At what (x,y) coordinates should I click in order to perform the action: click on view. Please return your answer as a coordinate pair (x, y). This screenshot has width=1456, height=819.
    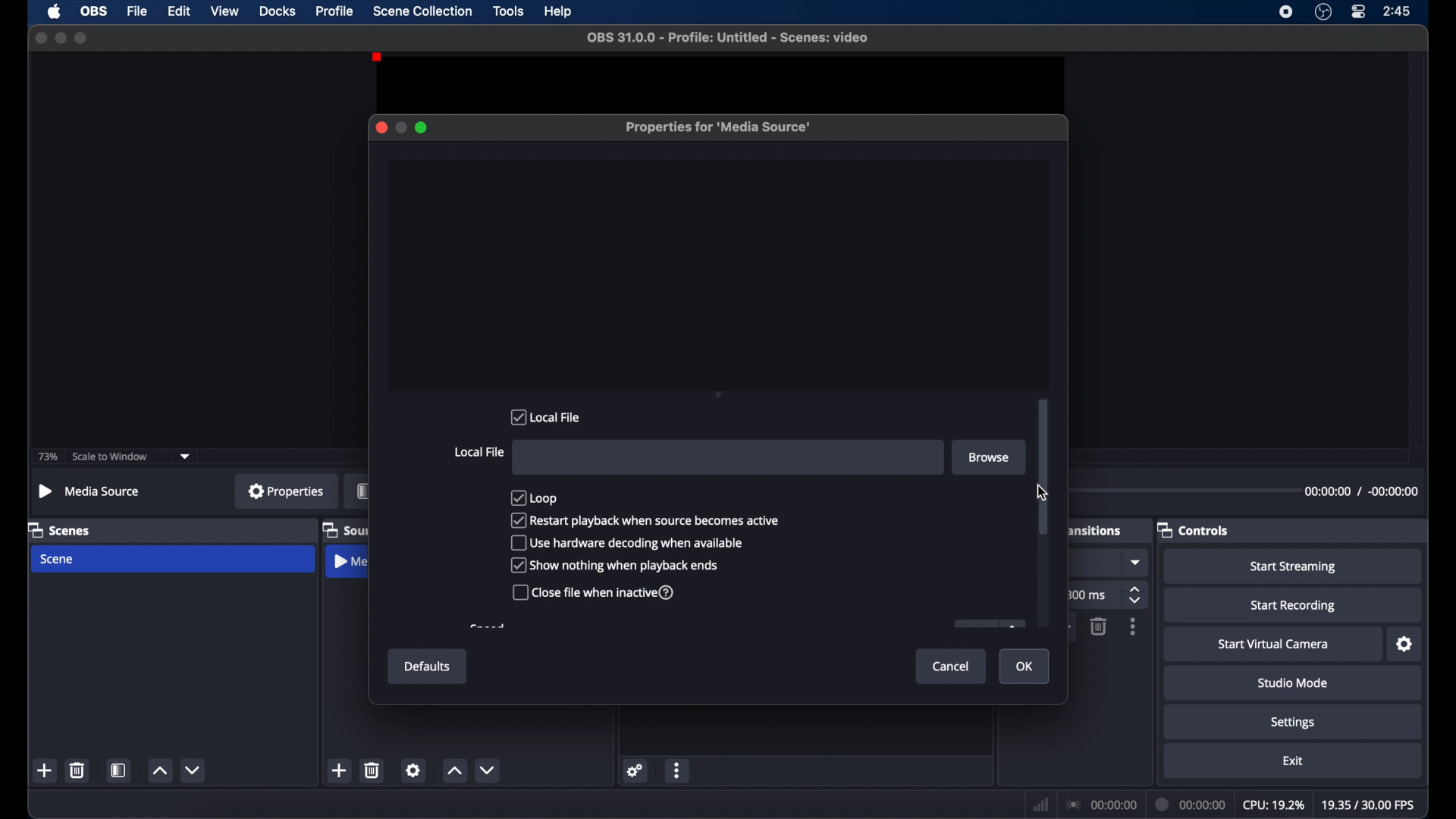
    Looking at the image, I should click on (224, 11).